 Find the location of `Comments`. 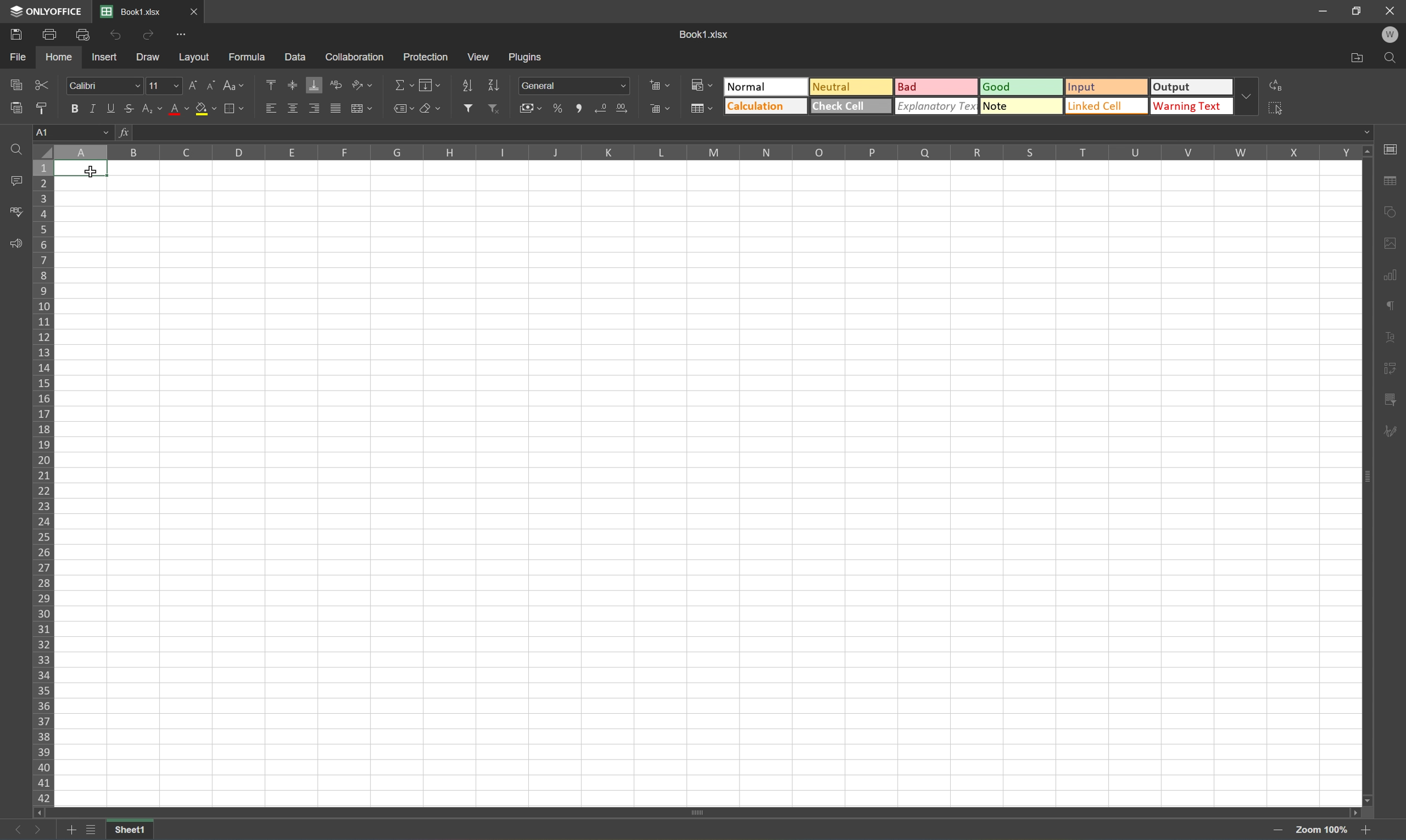

Comments is located at coordinates (16, 180).